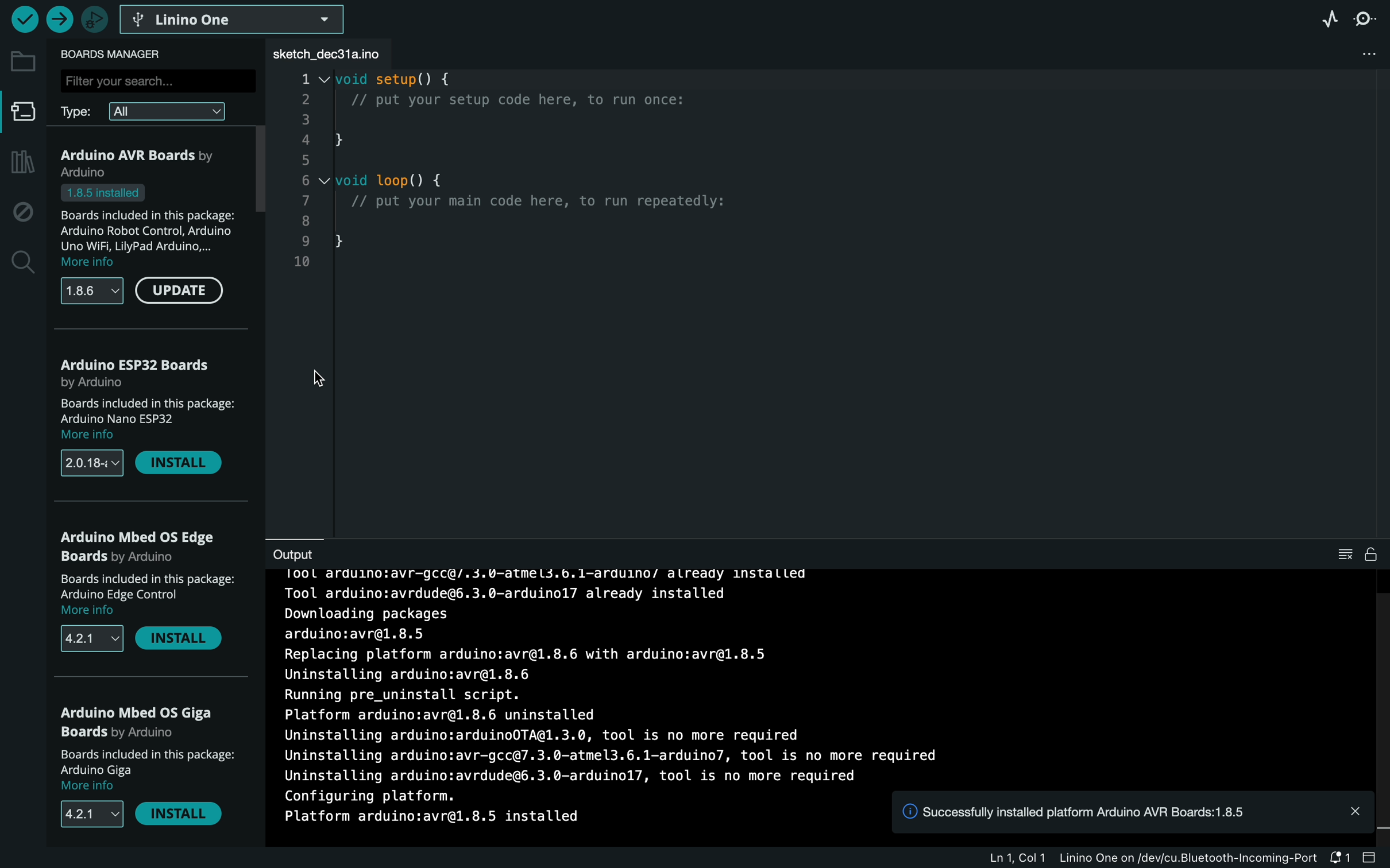  I want to click on versions, so click(92, 464).